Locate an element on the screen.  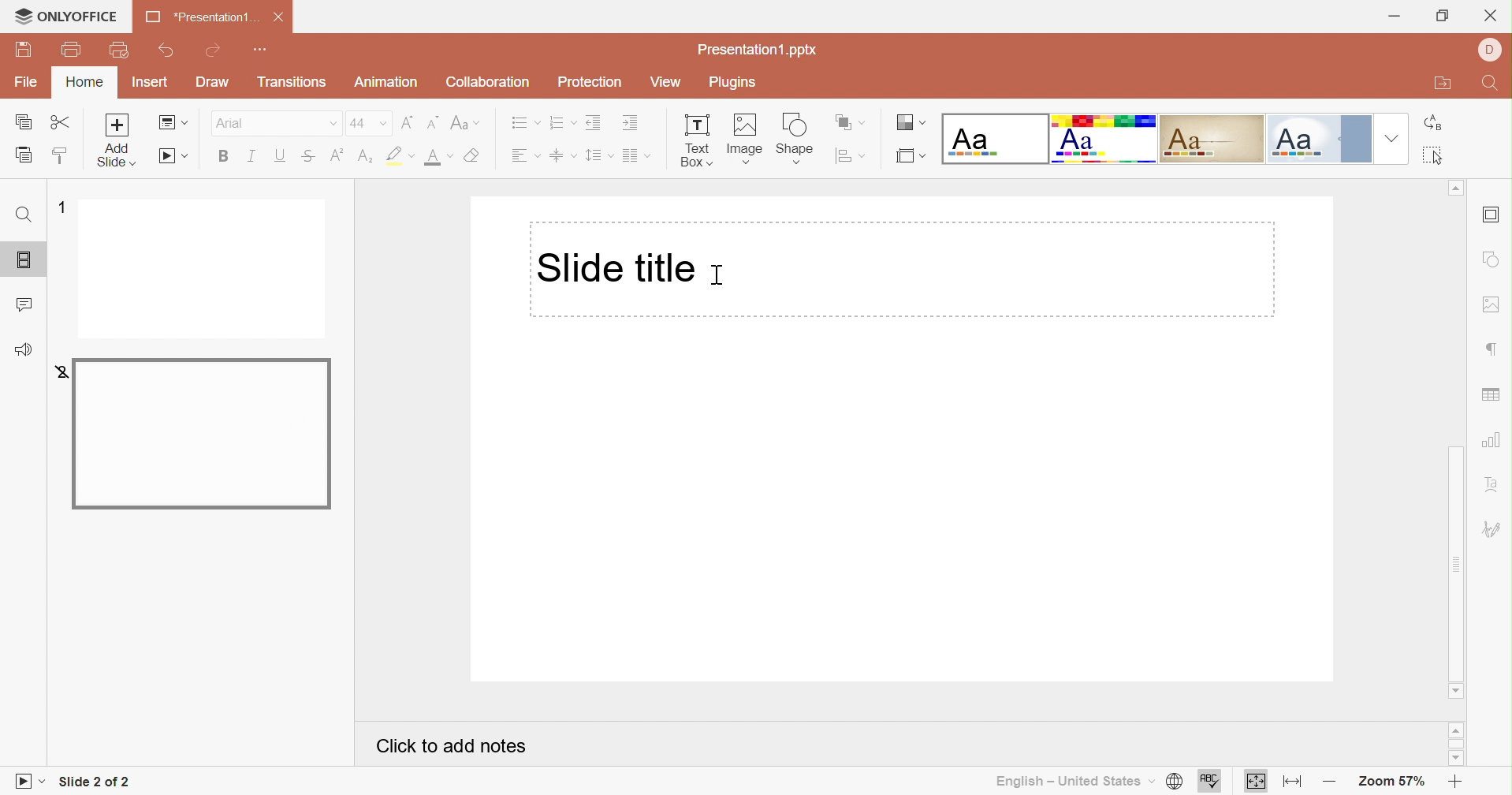
2 is located at coordinates (57, 371).